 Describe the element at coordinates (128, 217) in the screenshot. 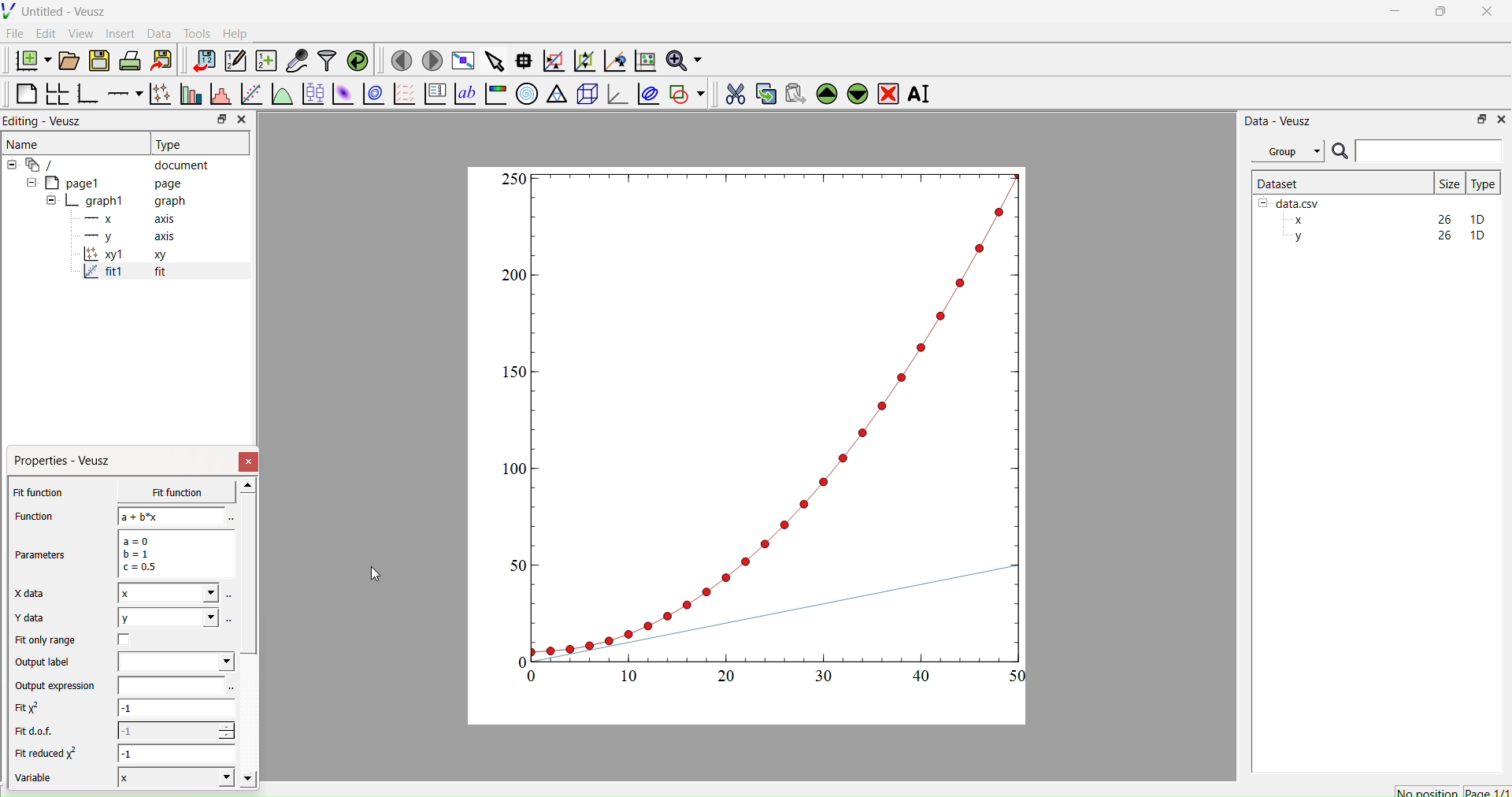

I see `x axis` at that location.